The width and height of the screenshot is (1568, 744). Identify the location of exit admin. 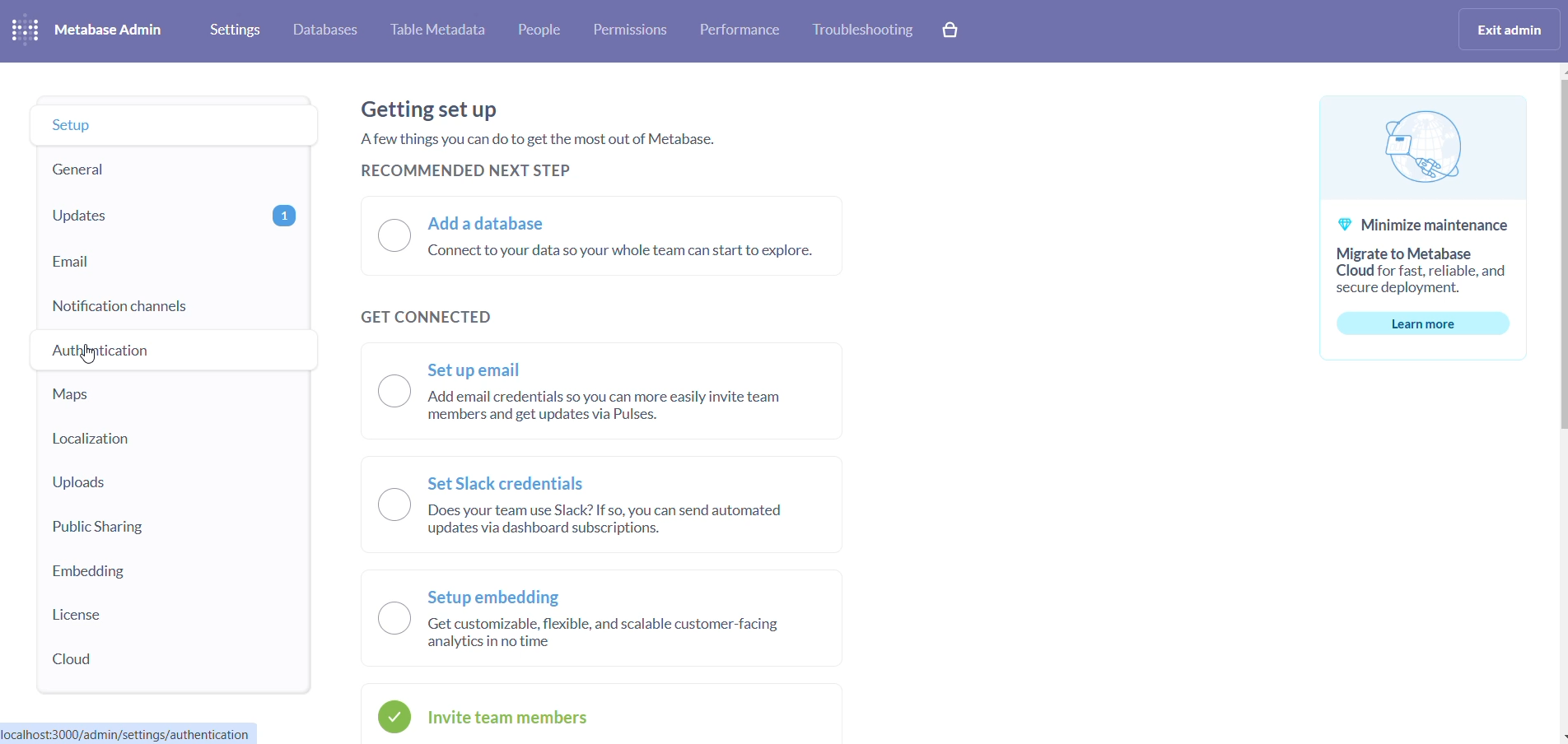
(1510, 30).